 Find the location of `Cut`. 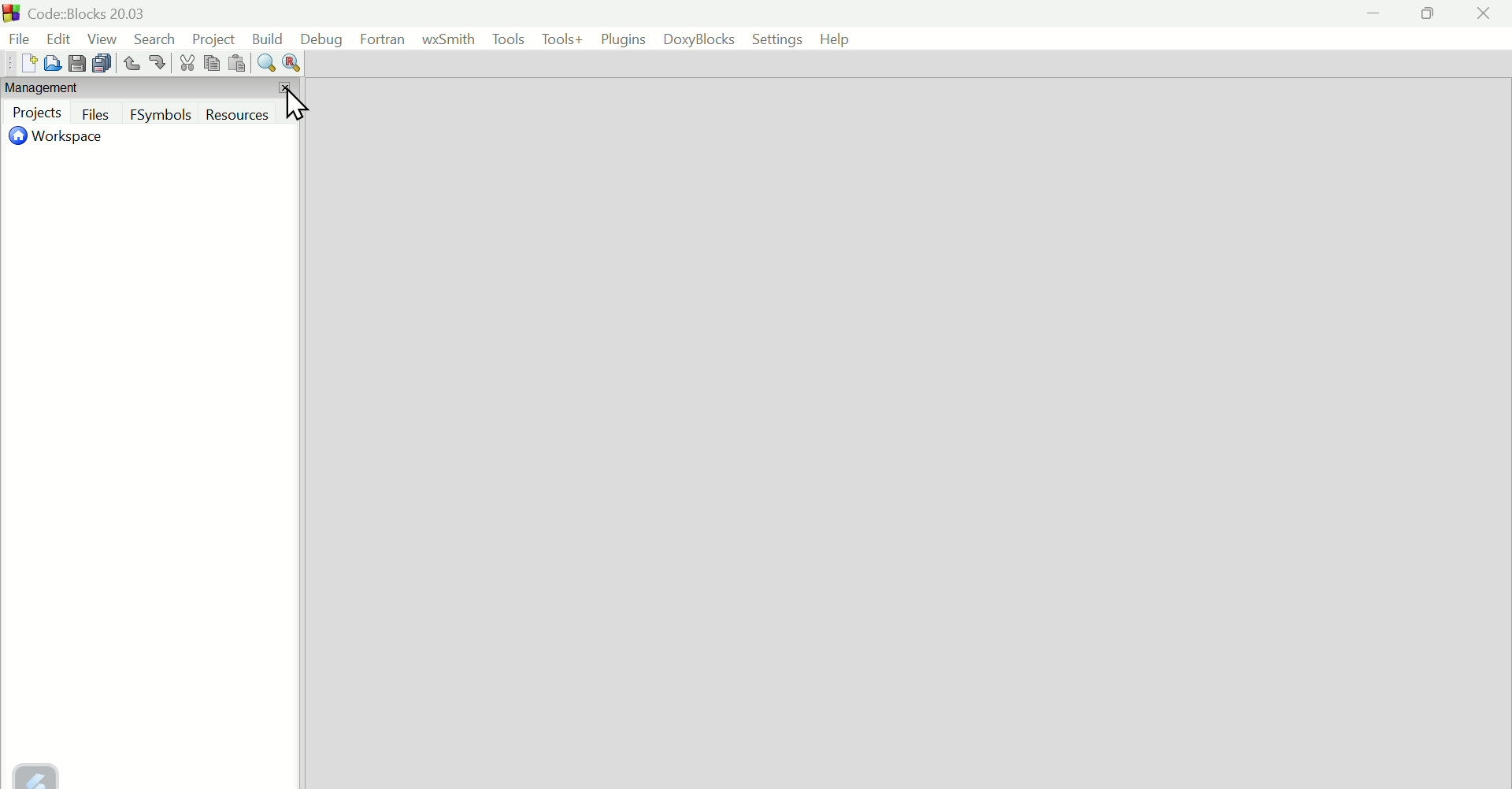

Cut is located at coordinates (187, 63).